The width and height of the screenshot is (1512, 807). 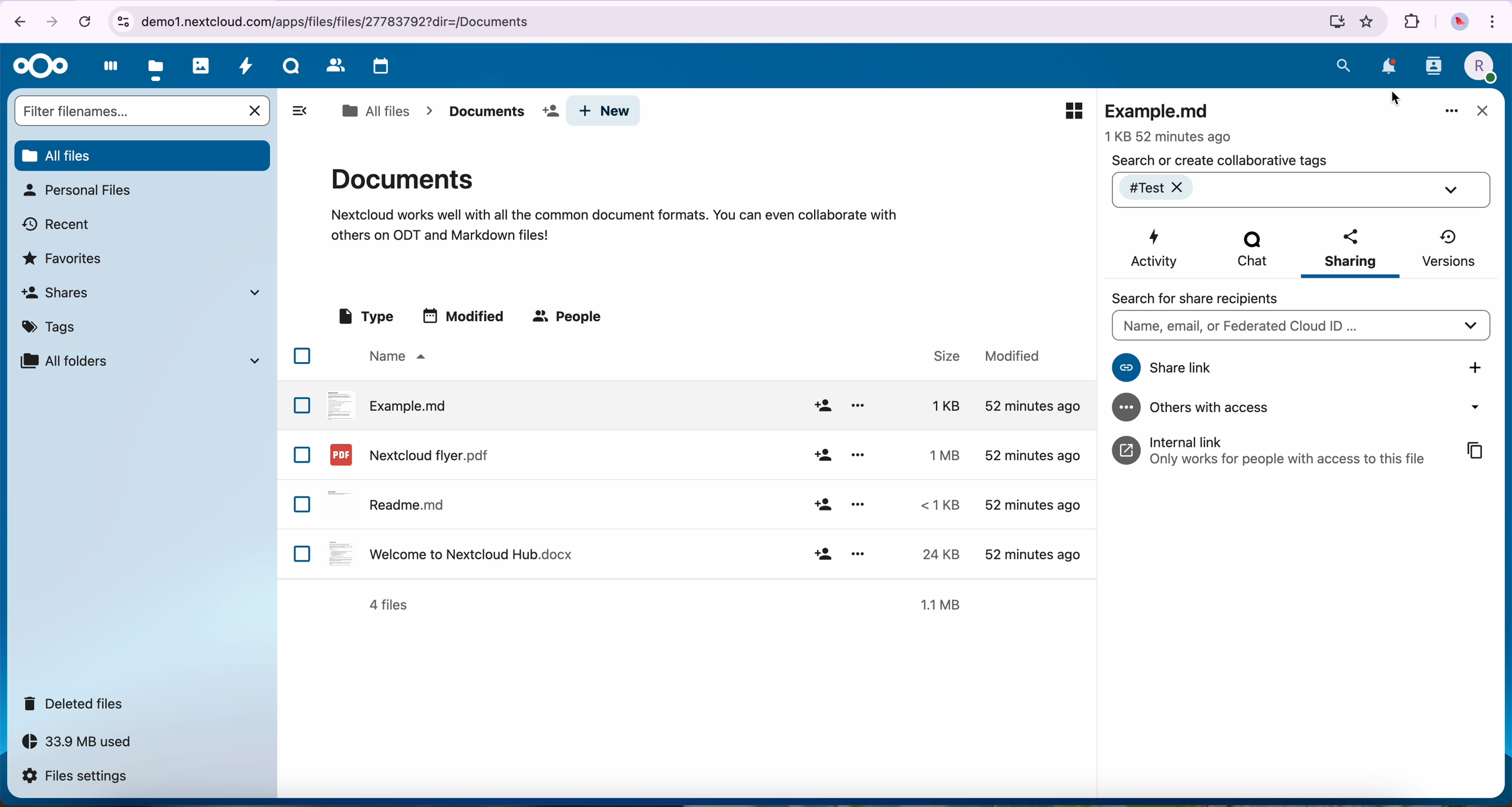 What do you see at coordinates (15, 21) in the screenshot?
I see `navigate back` at bounding box center [15, 21].